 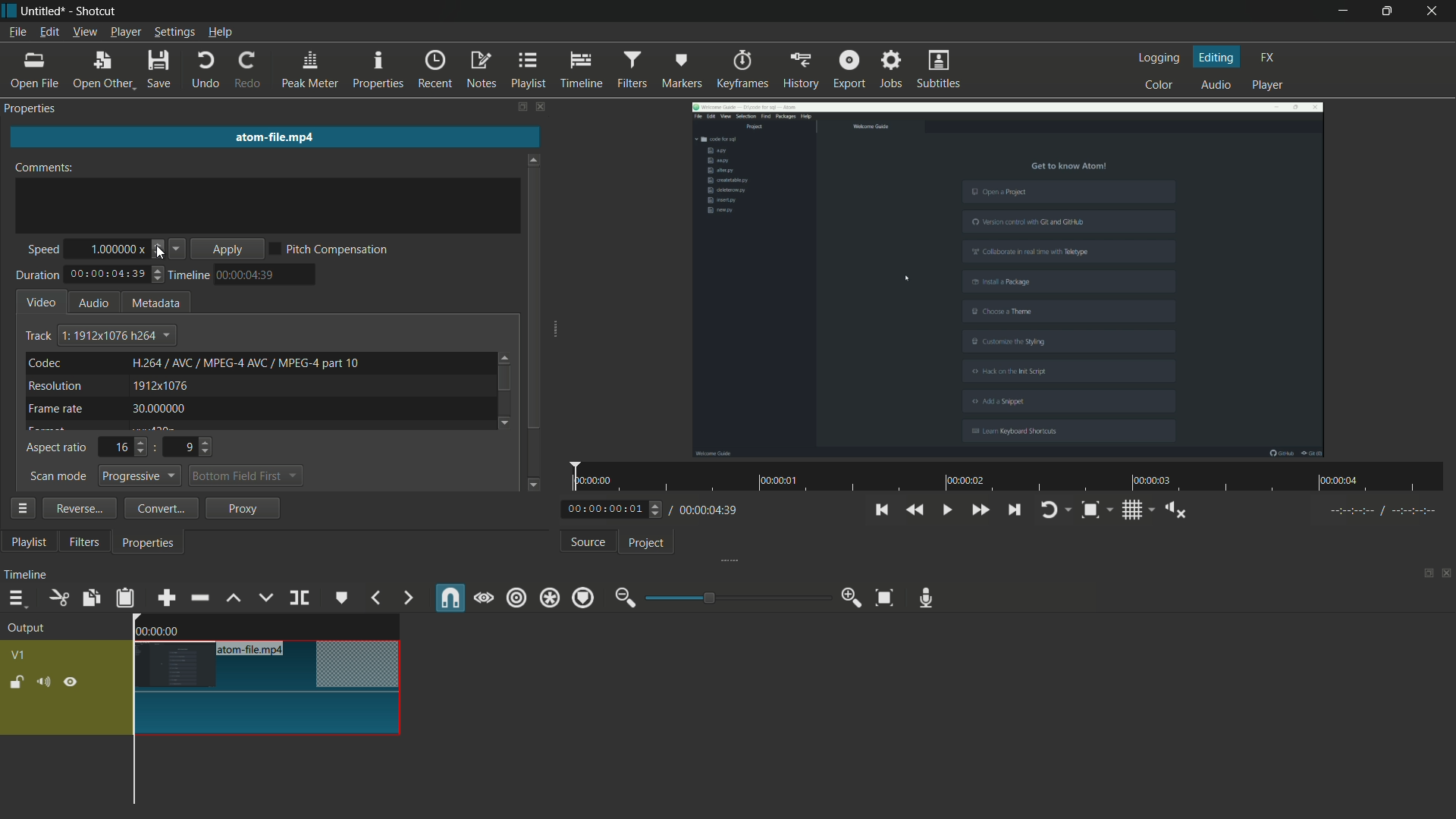 What do you see at coordinates (125, 598) in the screenshot?
I see `paste` at bounding box center [125, 598].